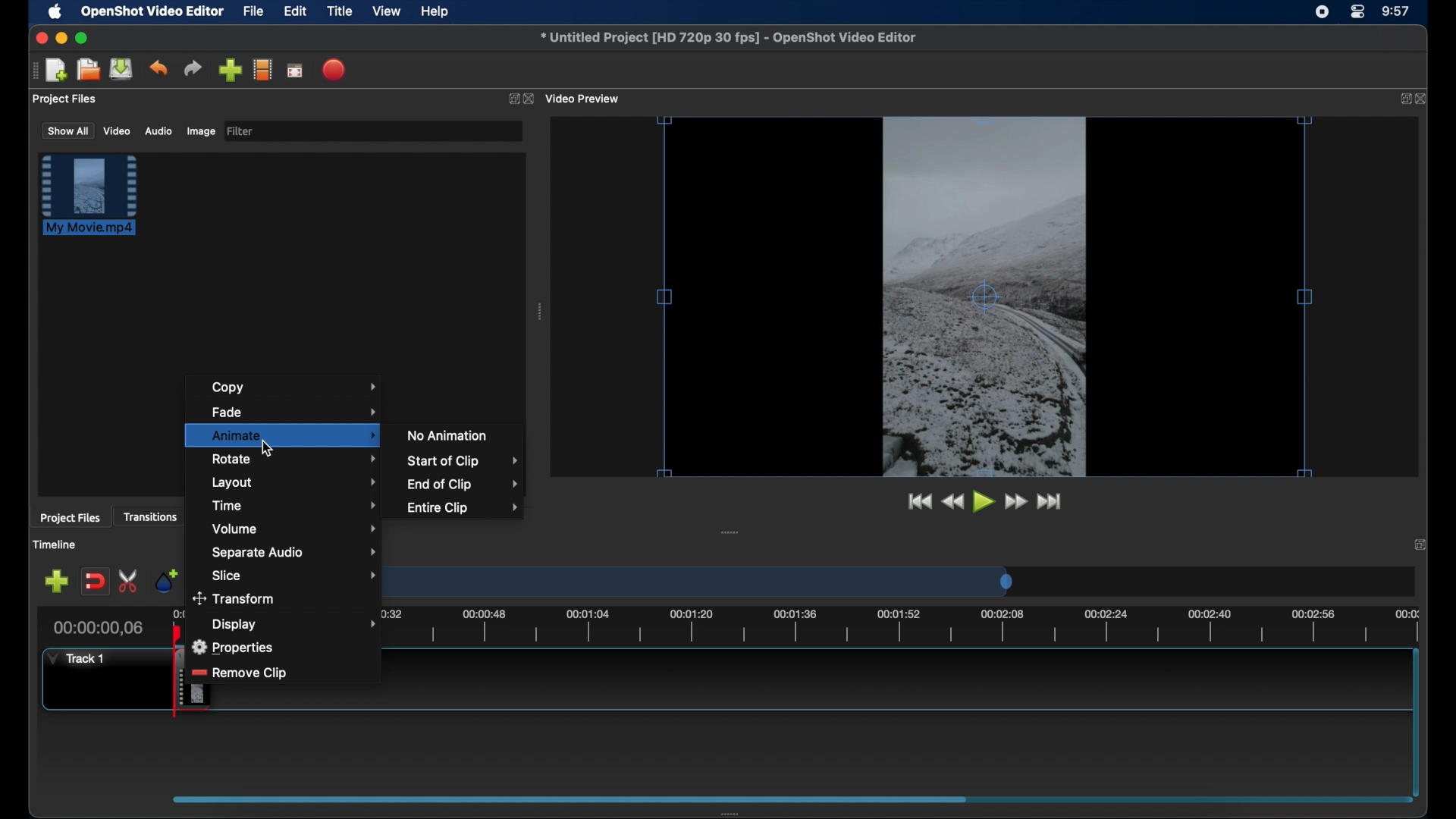 The image size is (1456, 819). I want to click on filter, so click(241, 131).